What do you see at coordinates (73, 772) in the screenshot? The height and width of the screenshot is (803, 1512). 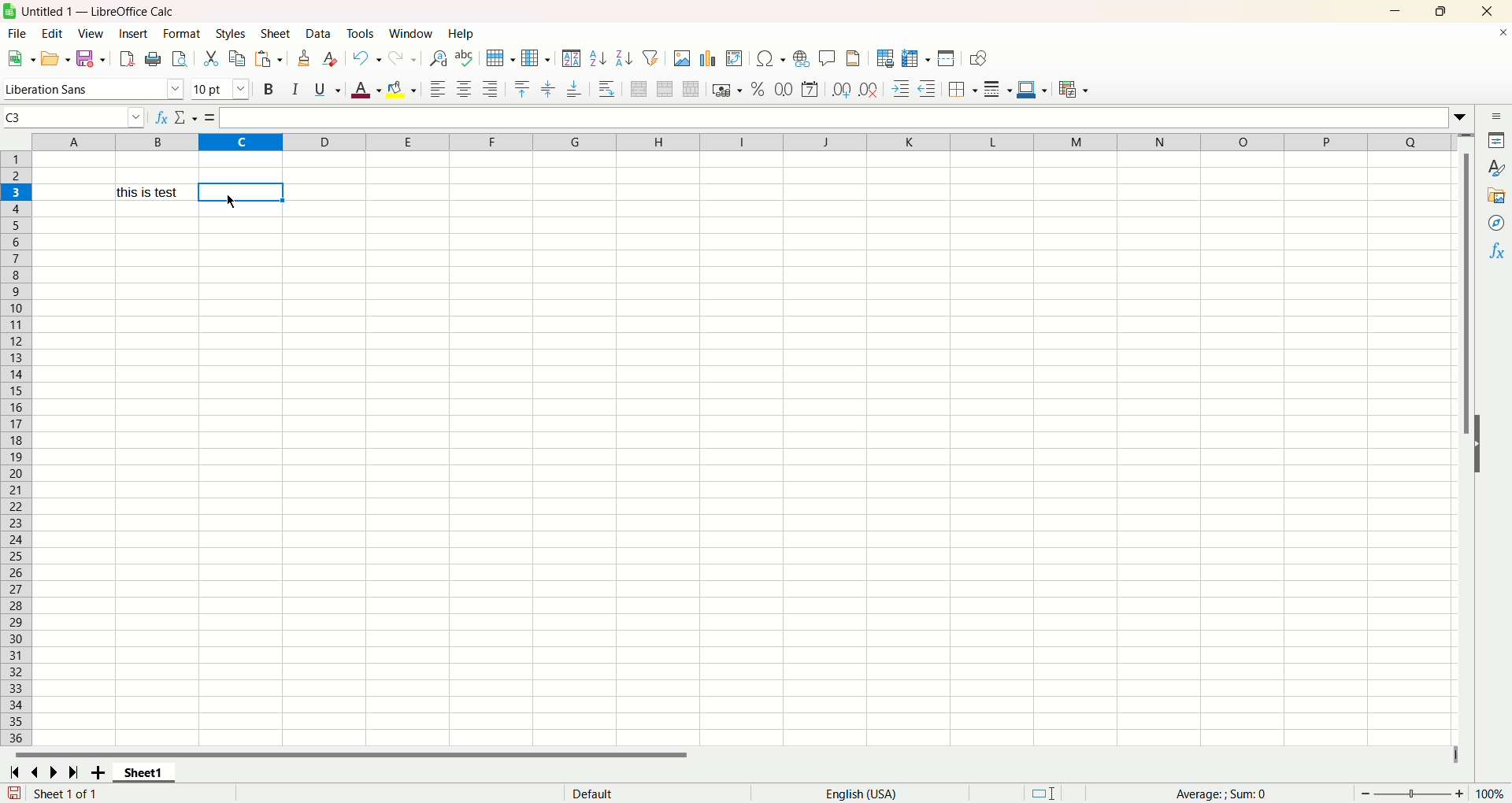 I see `last sheet` at bounding box center [73, 772].